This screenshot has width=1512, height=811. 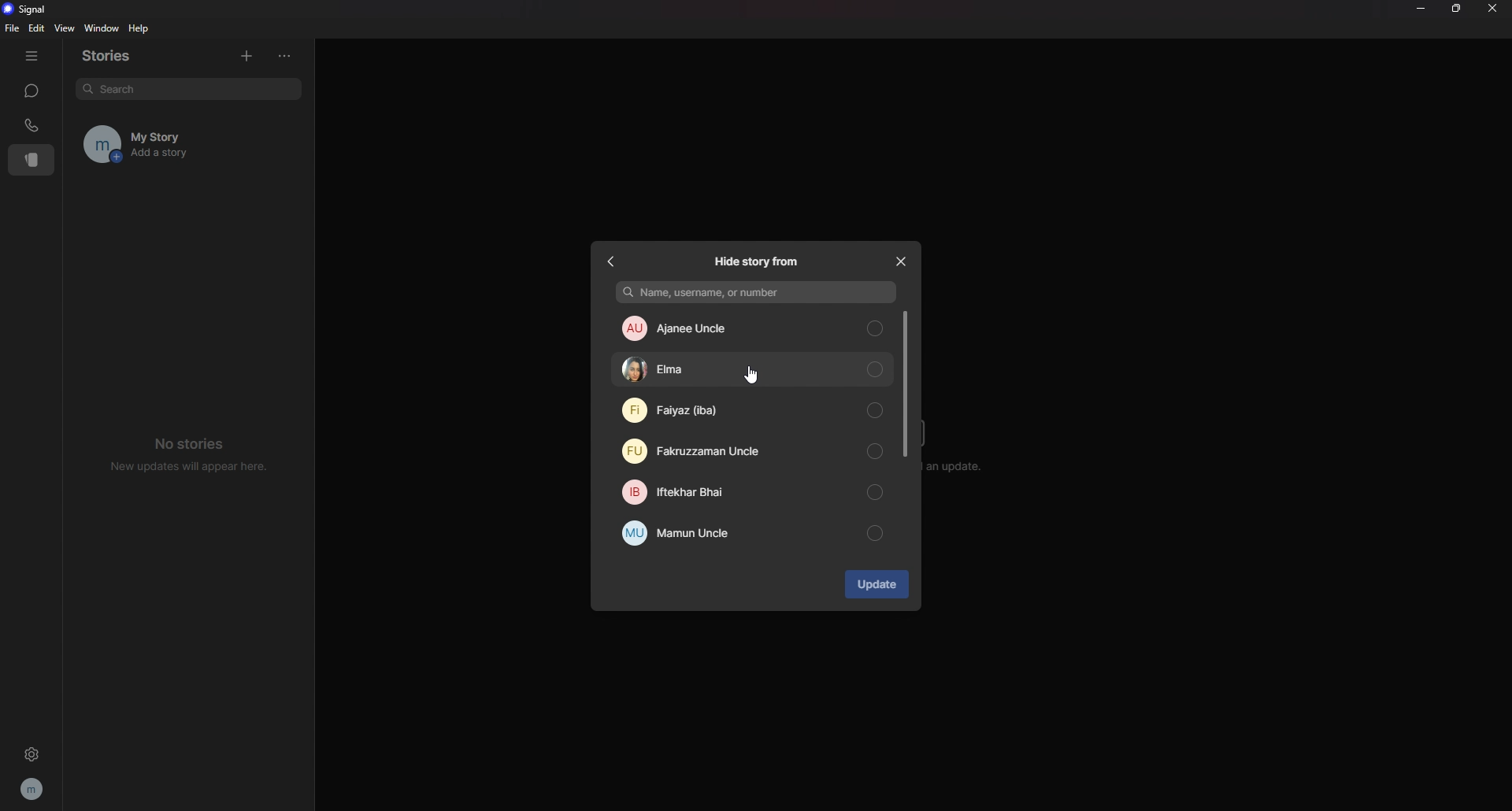 I want to click on search, so click(x=187, y=88).